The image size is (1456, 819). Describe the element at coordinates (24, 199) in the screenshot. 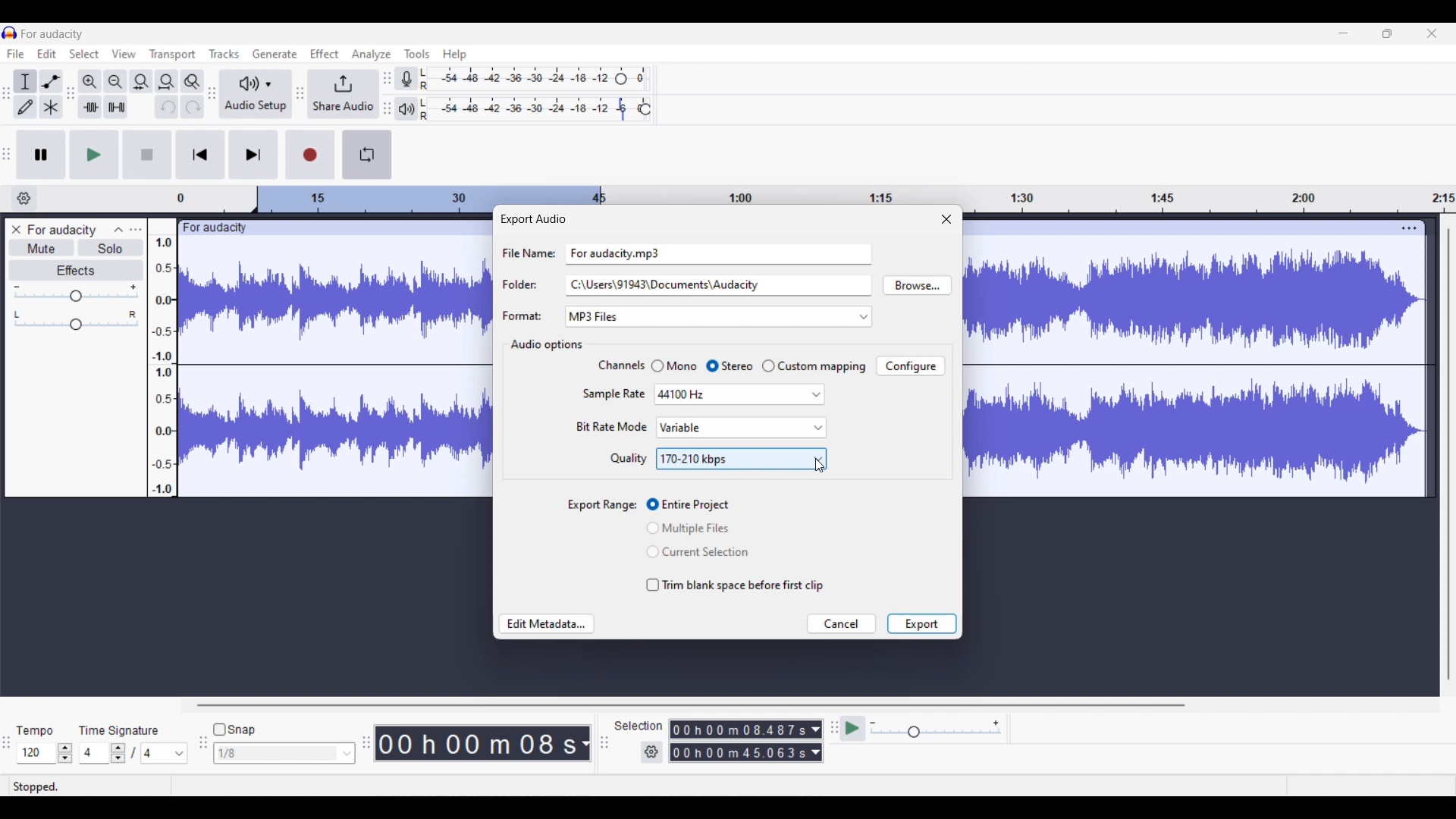

I see `Timeline options` at that location.